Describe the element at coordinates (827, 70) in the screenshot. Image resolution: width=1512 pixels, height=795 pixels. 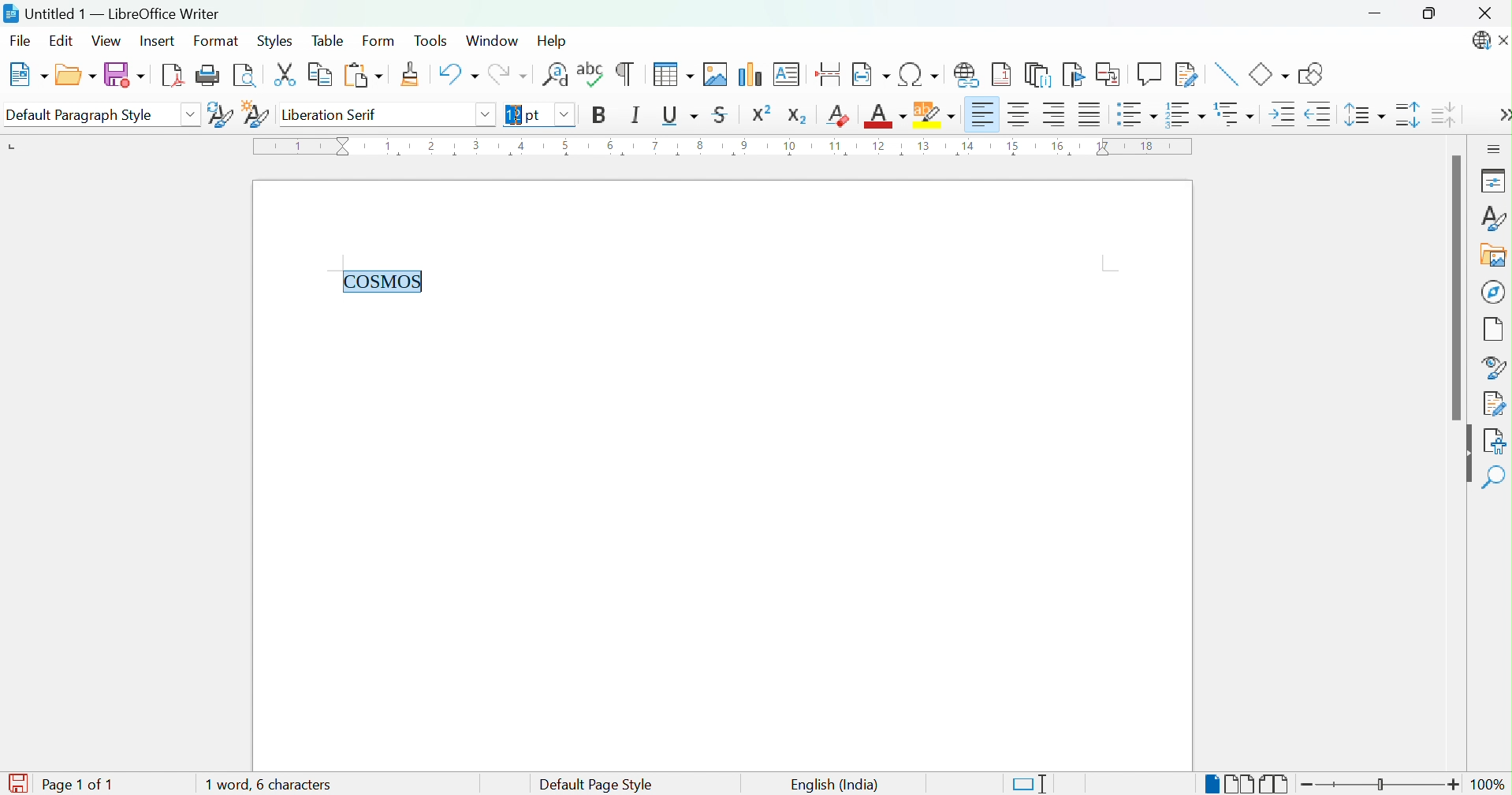
I see `Insert Page Break` at that location.